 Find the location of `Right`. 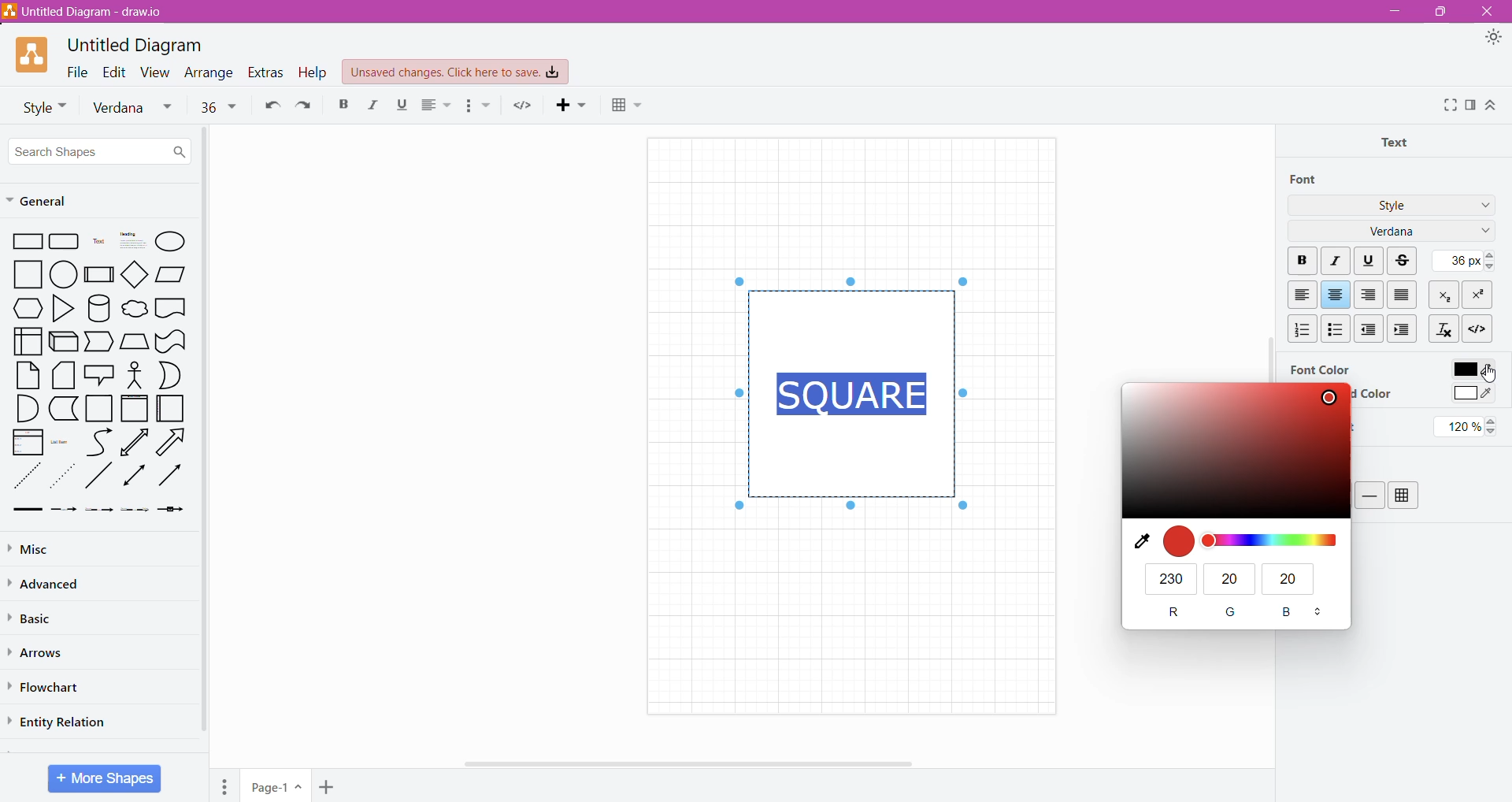

Right is located at coordinates (1370, 295).